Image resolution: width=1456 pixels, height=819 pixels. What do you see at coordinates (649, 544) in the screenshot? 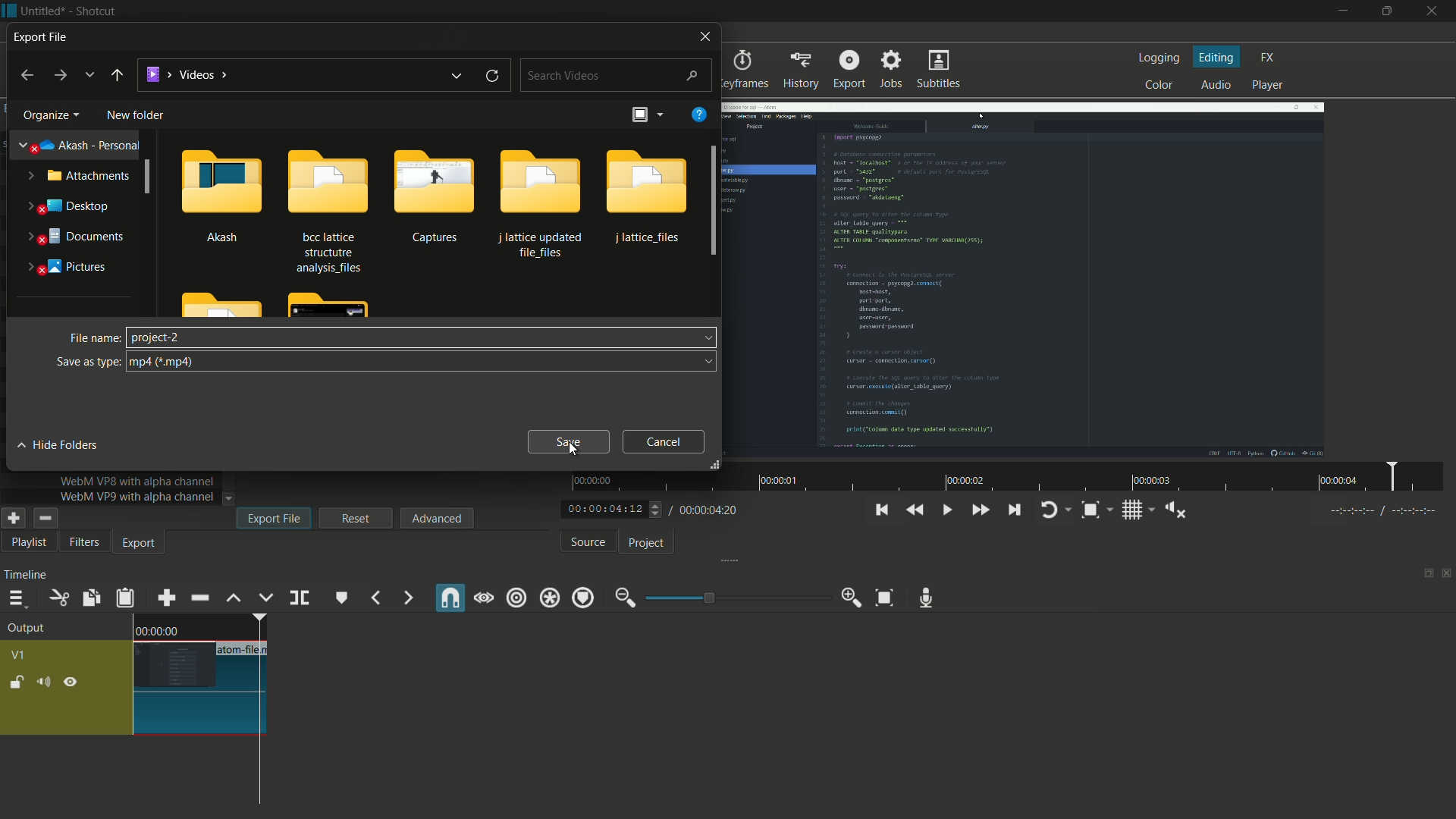
I see `project` at bounding box center [649, 544].